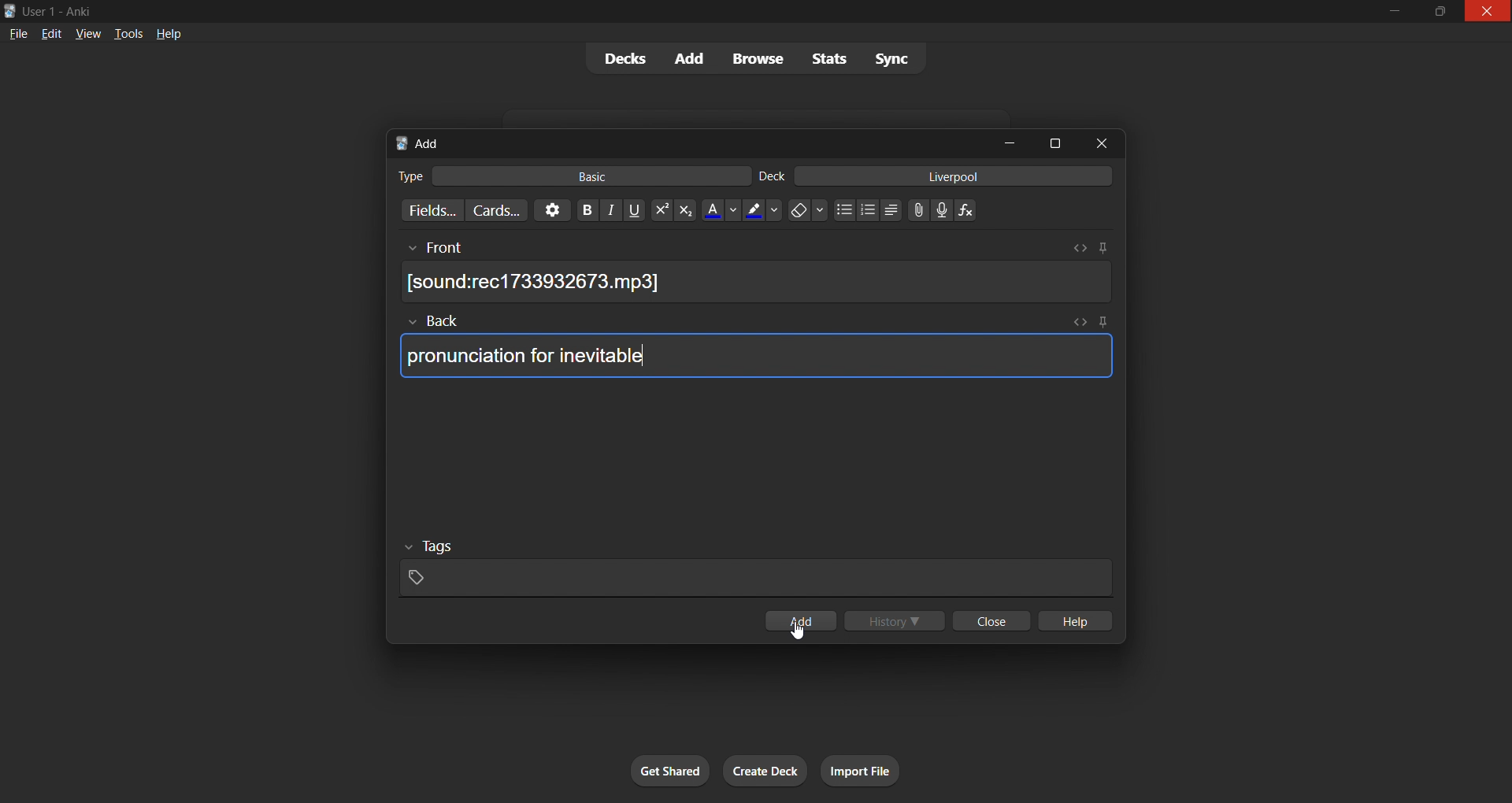  Describe the element at coordinates (660, 11) in the screenshot. I see `windows title bar` at that location.